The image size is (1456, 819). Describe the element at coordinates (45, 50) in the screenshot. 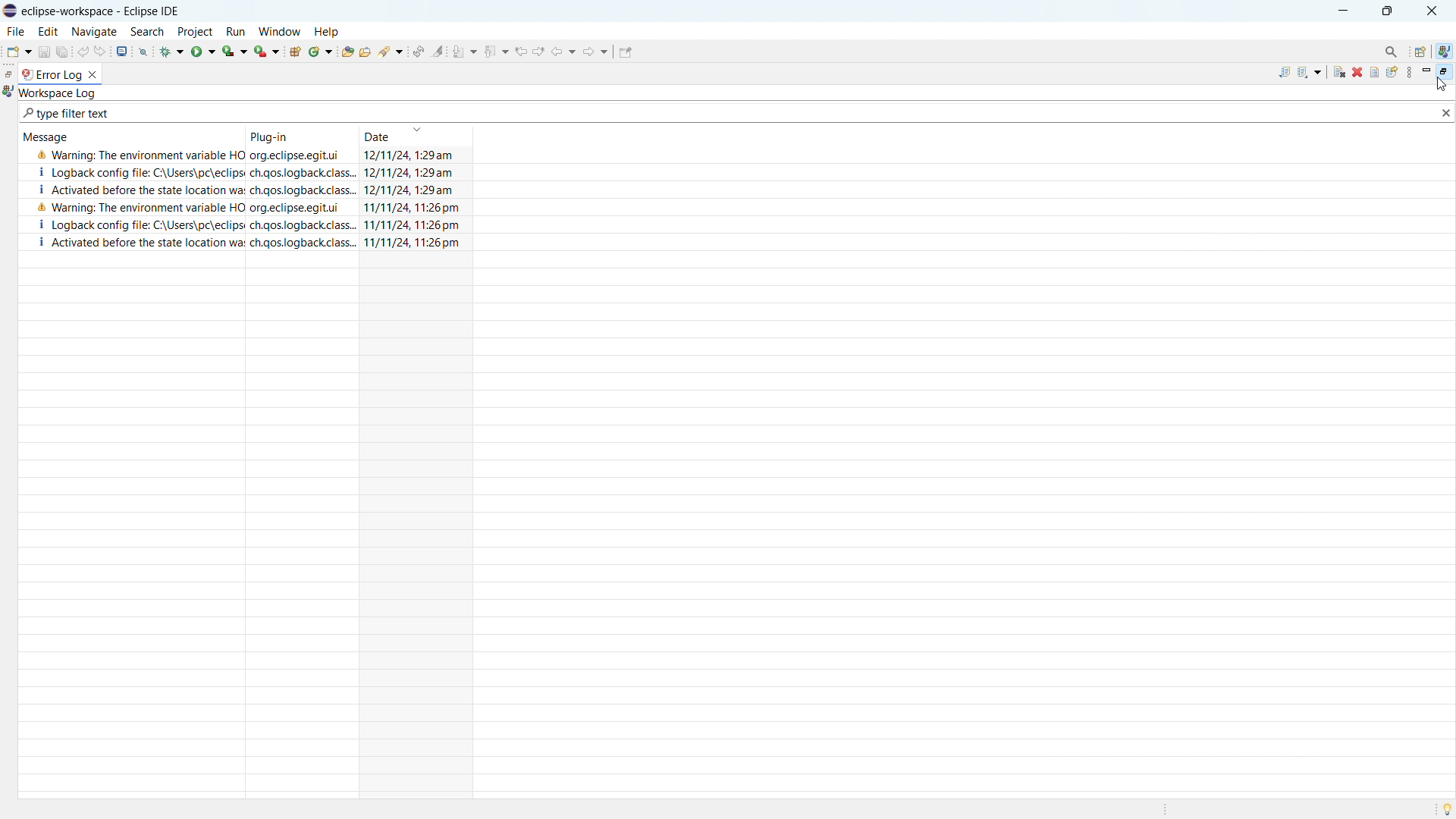

I see `save` at that location.